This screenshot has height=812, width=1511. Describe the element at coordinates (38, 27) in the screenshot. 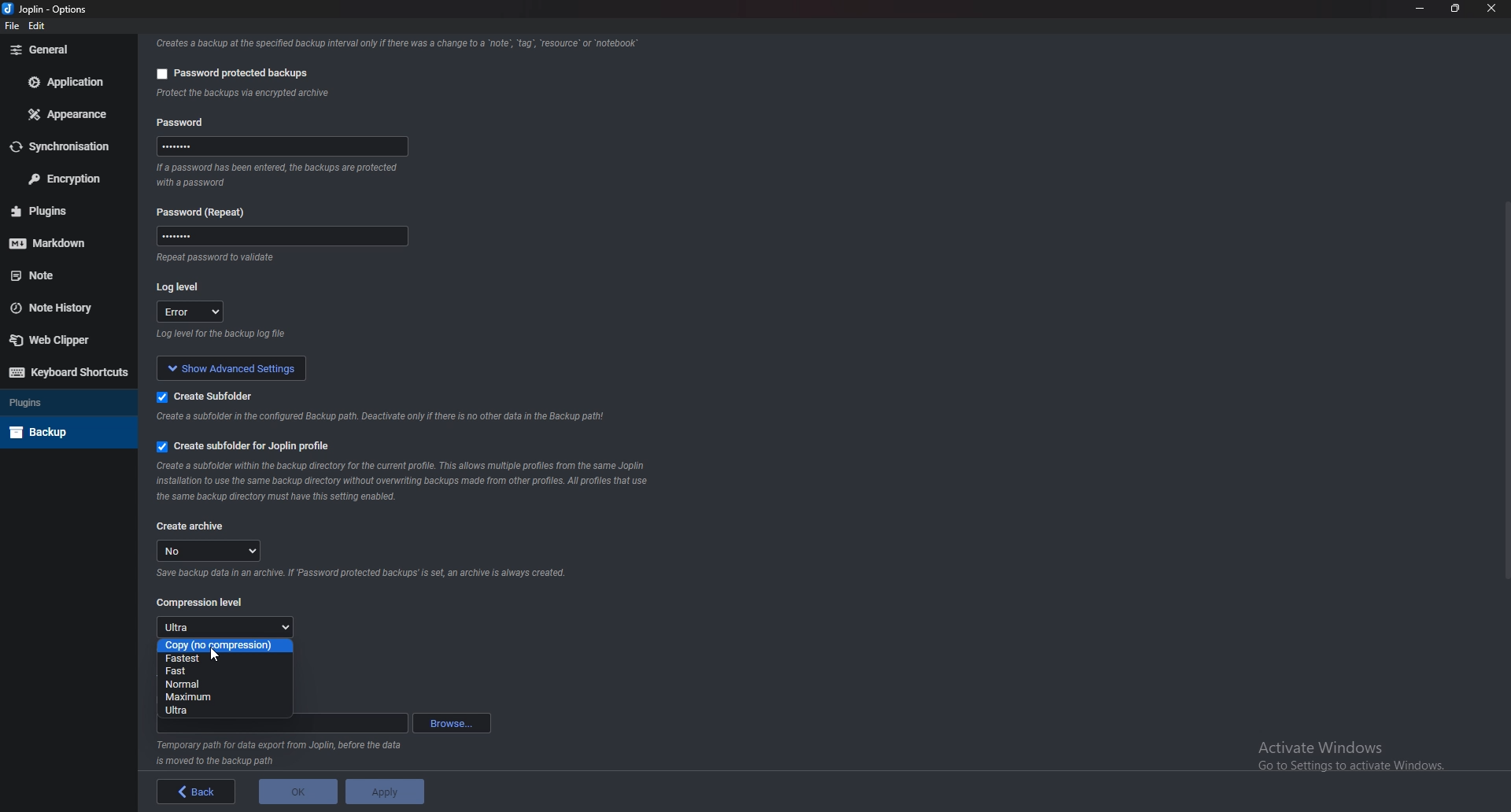

I see `edit` at that location.